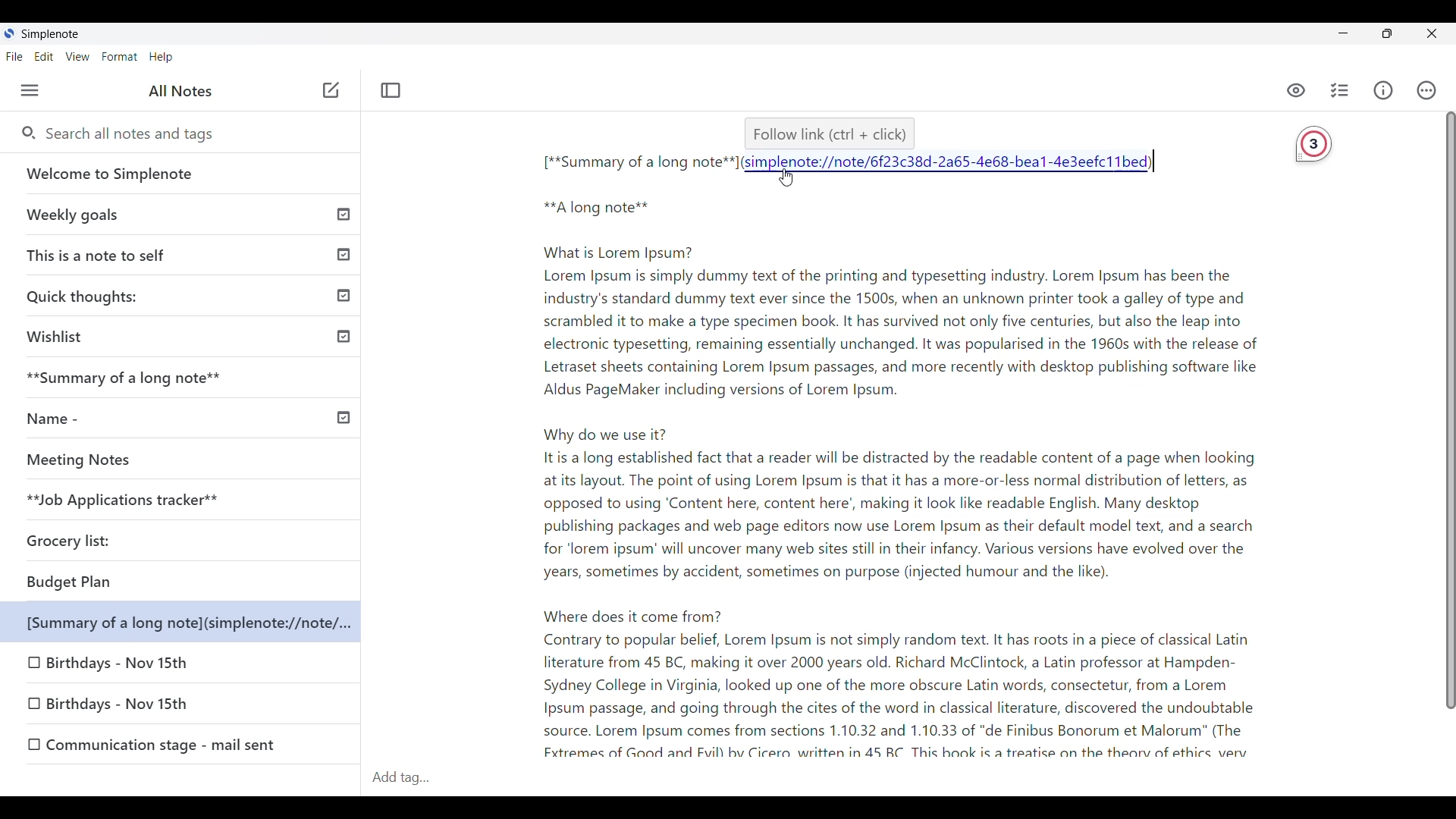  What do you see at coordinates (184, 378) in the screenshot?
I see `Summary of a long note` at bounding box center [184, 378].